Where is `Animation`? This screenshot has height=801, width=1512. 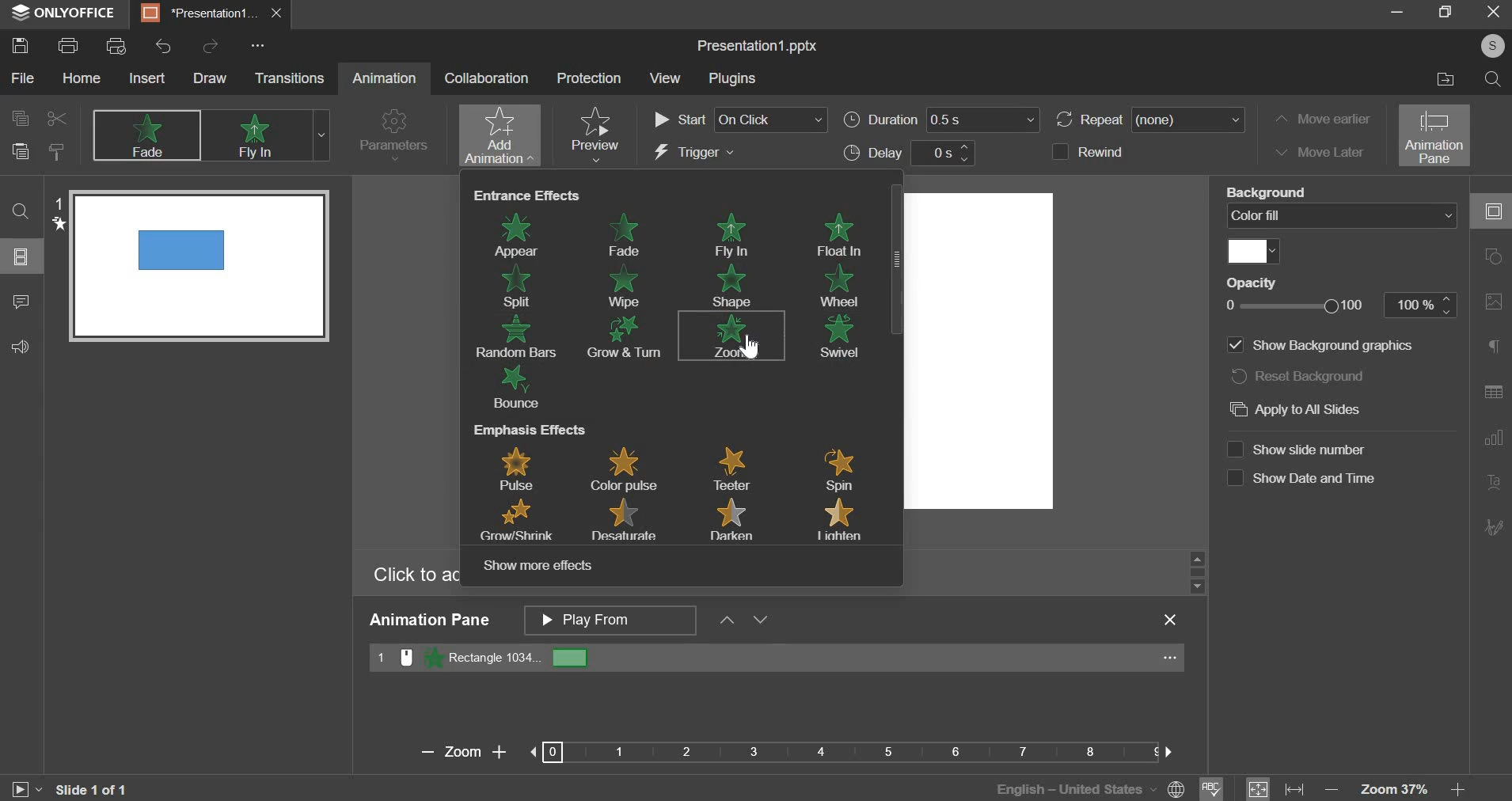
Animation is located at coordinates (386, 80).